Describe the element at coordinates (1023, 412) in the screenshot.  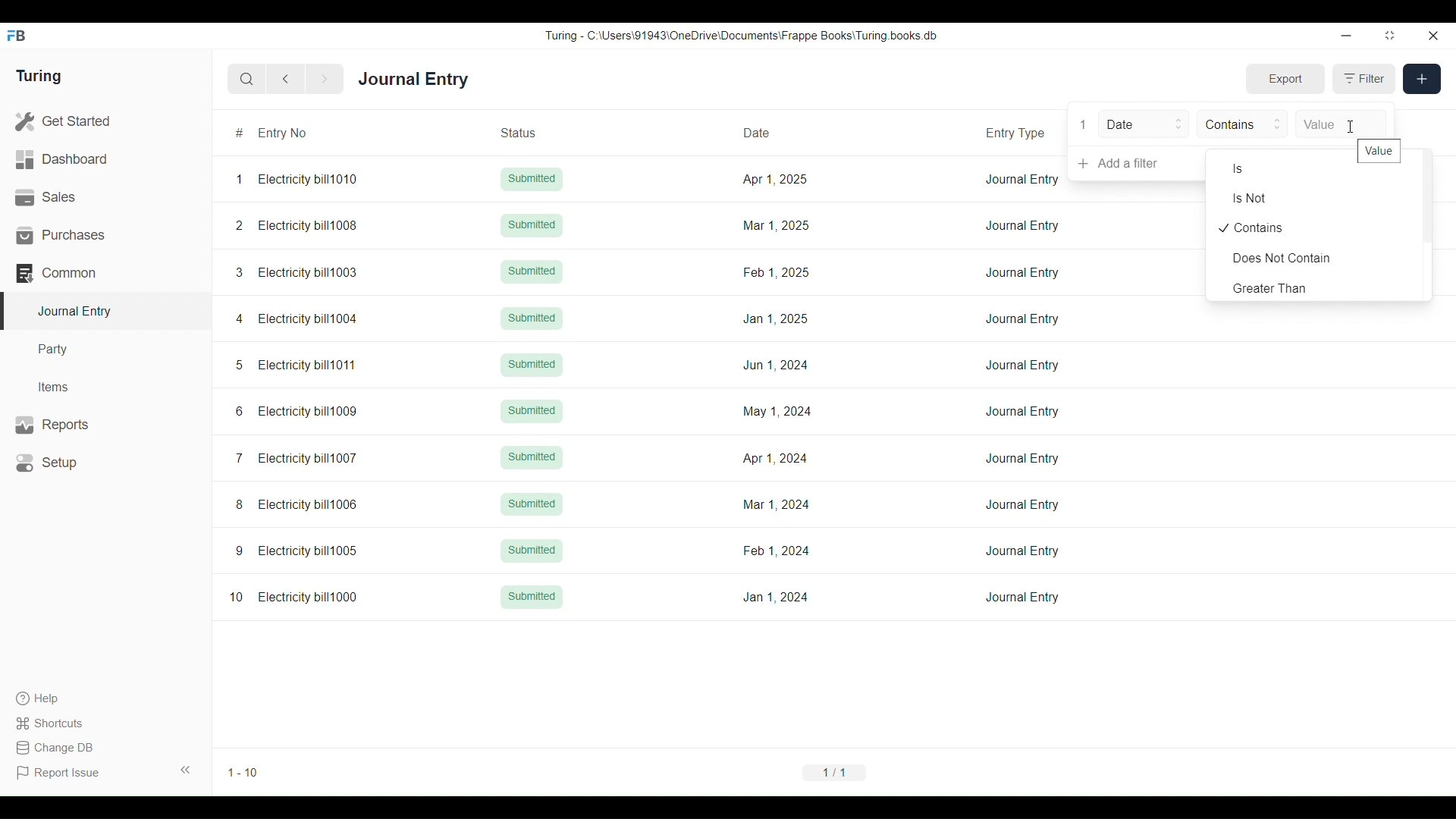
I see `Journal Entry` at that location.